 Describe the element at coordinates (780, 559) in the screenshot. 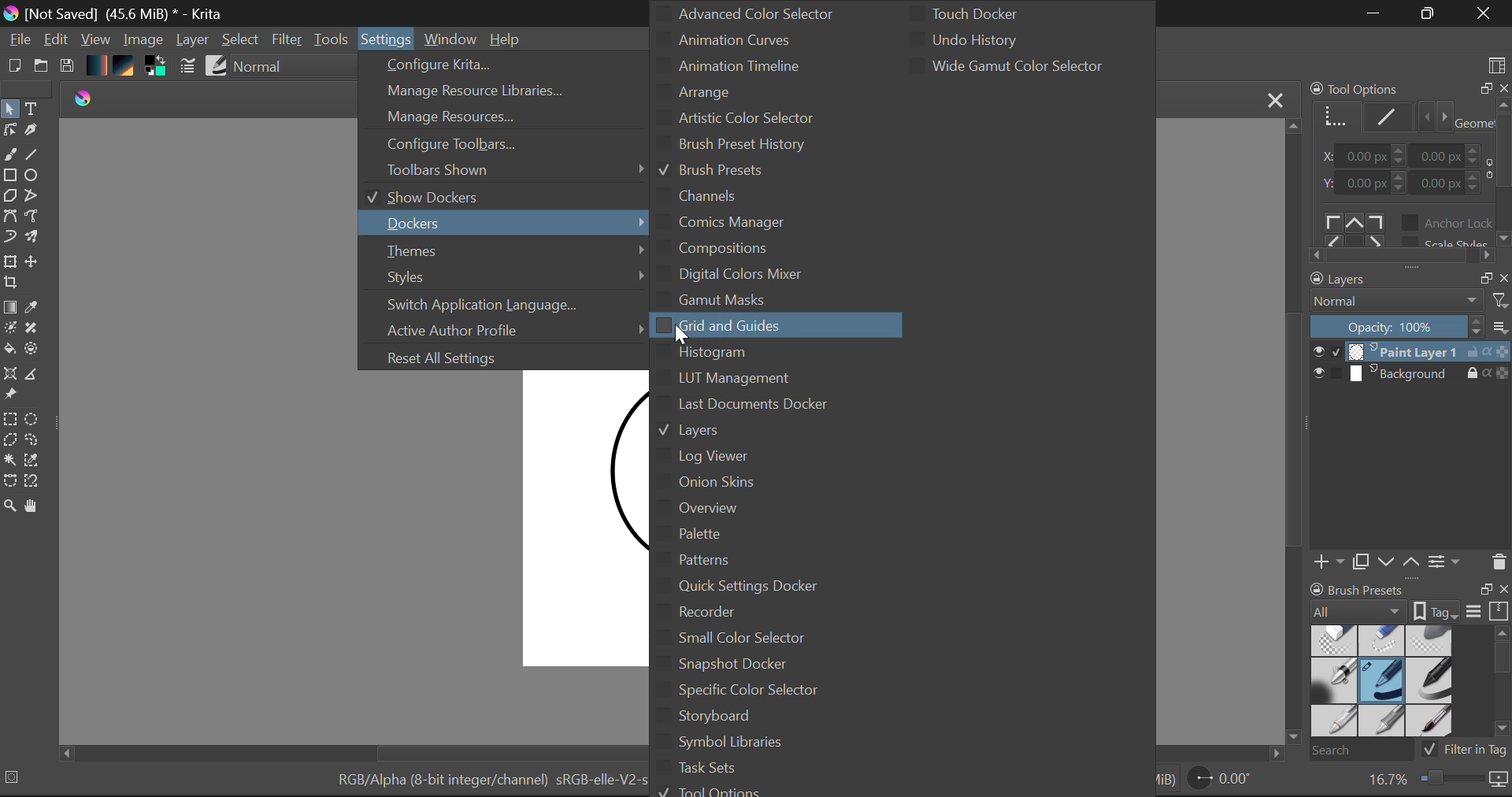

I see `Patterns` at that location.